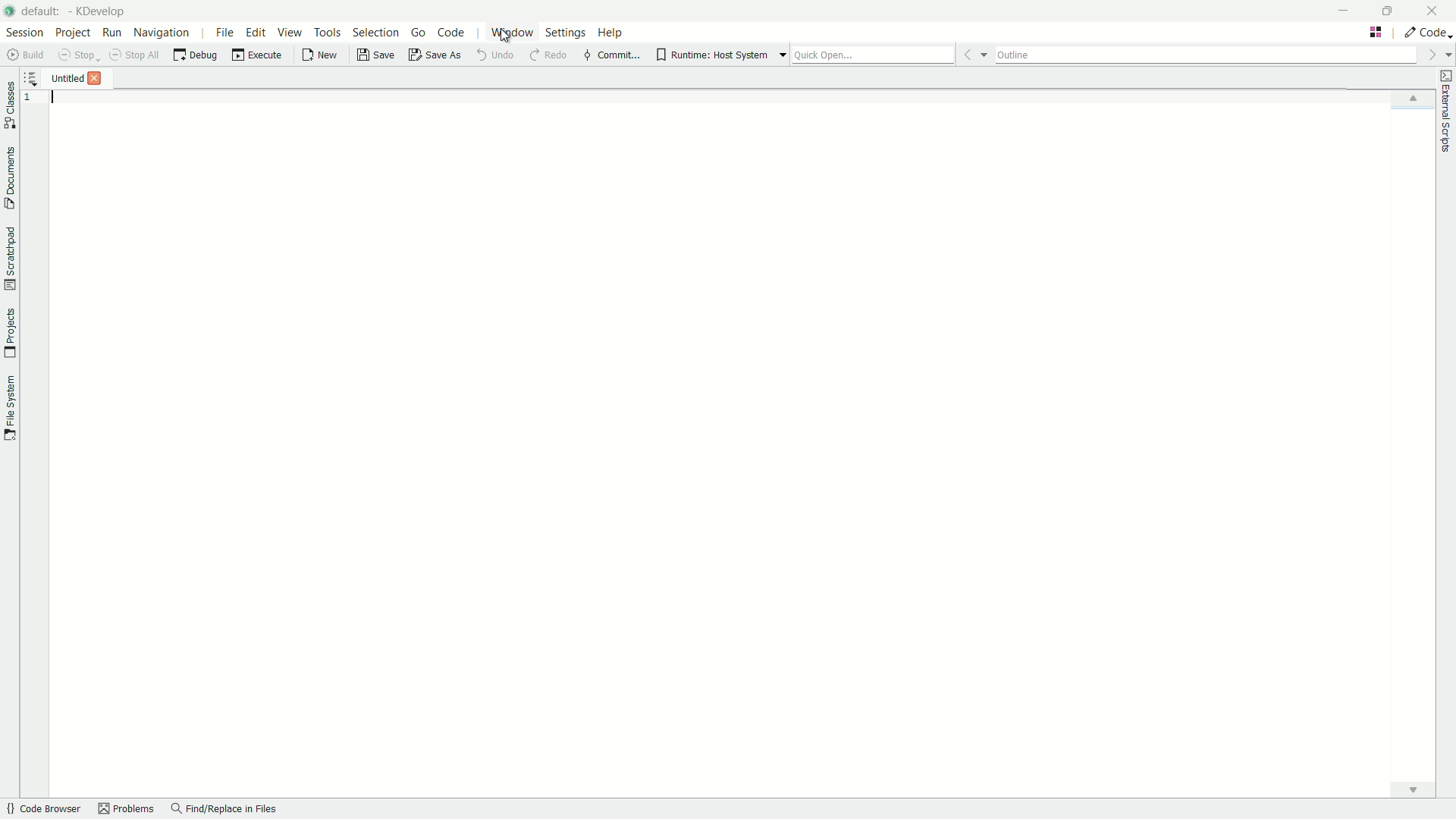  Describe the element at coordinates (100, 11) in the screenshot. I see `app name` at that location.